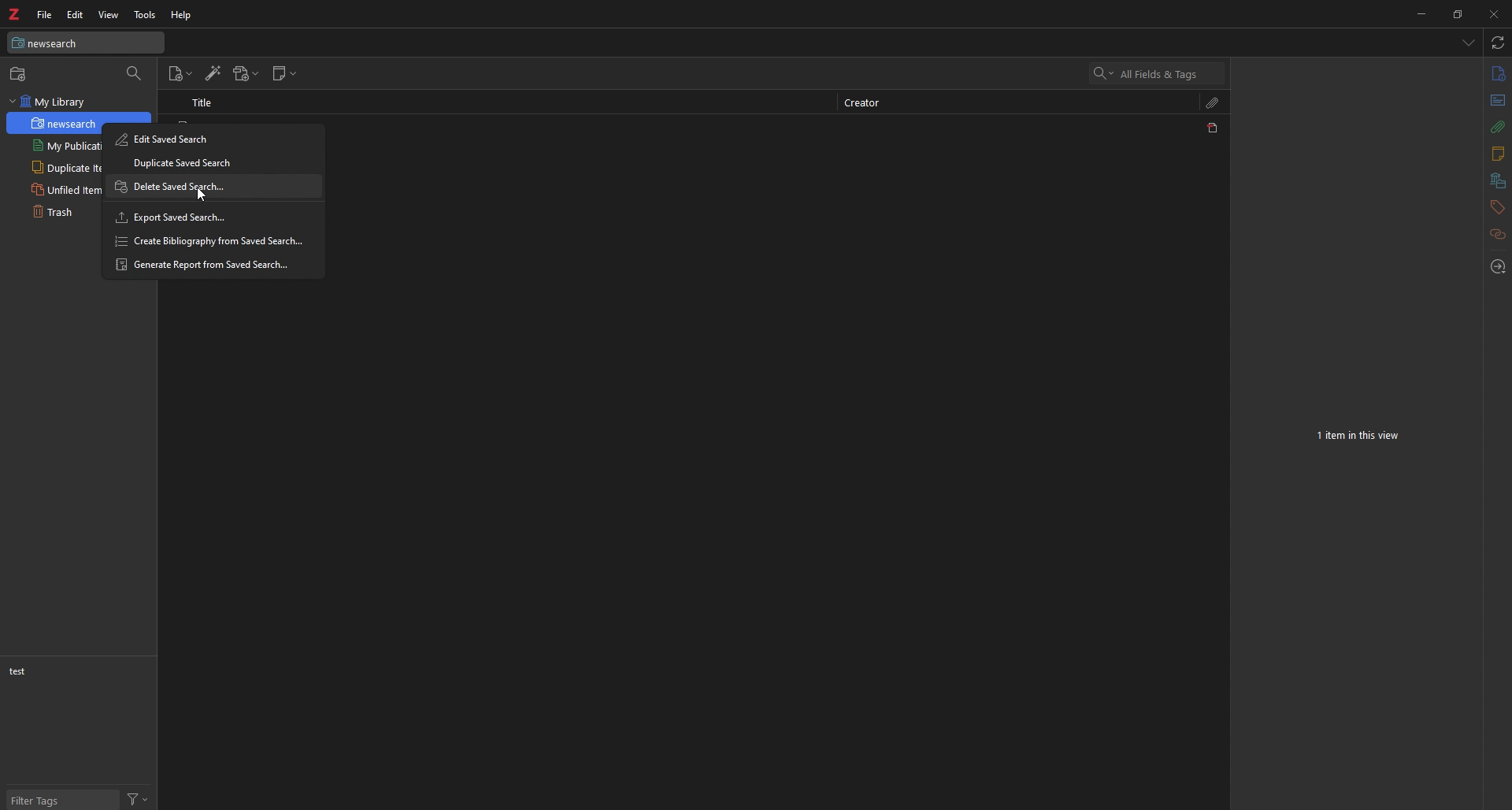  What do you see at coordinates (1495, 98) in the screenshot?
I see `Abstract` at bounding box center [1495, 98].